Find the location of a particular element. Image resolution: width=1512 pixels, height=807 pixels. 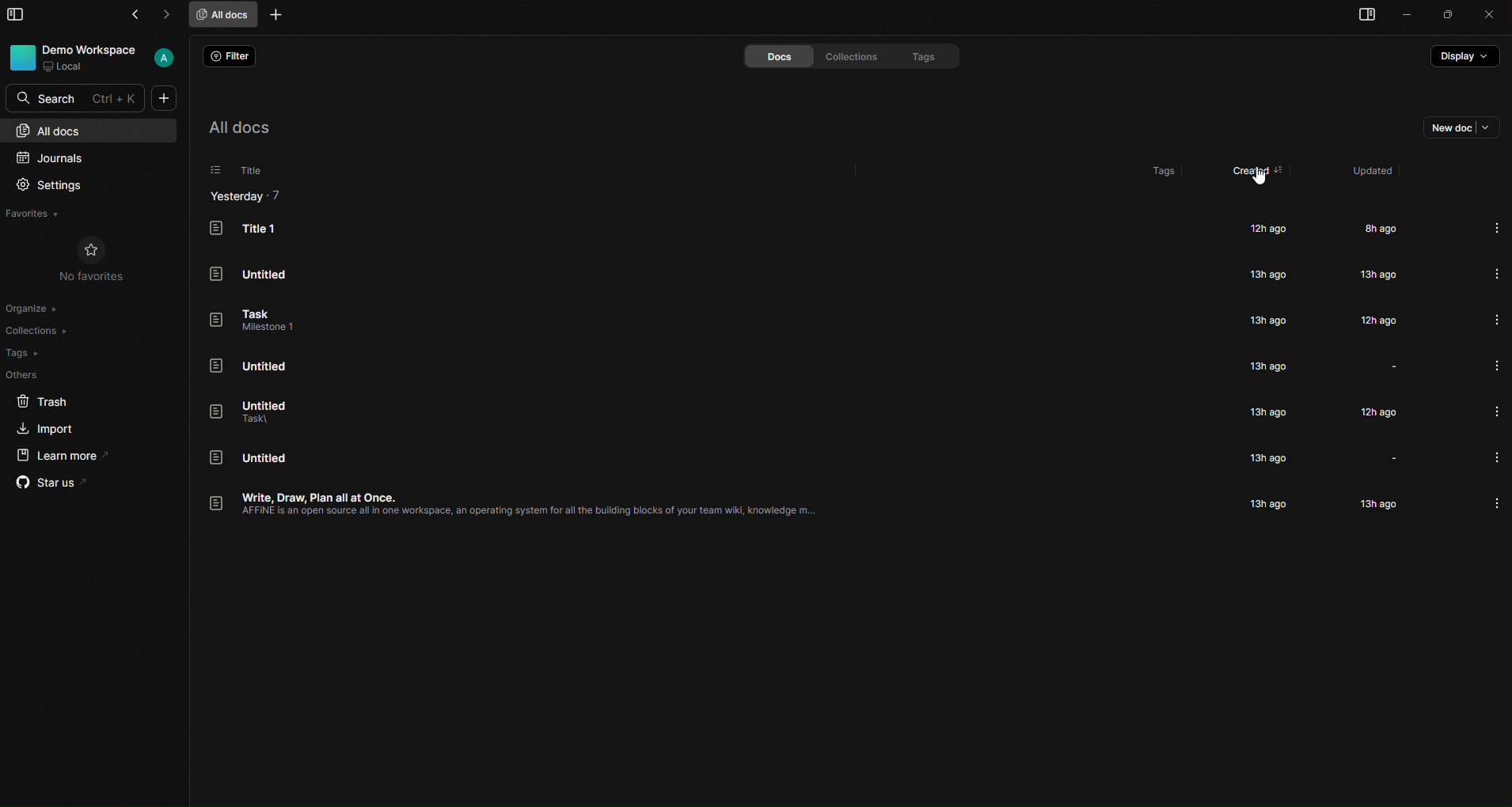

go back is located at coordinates (139, 14).